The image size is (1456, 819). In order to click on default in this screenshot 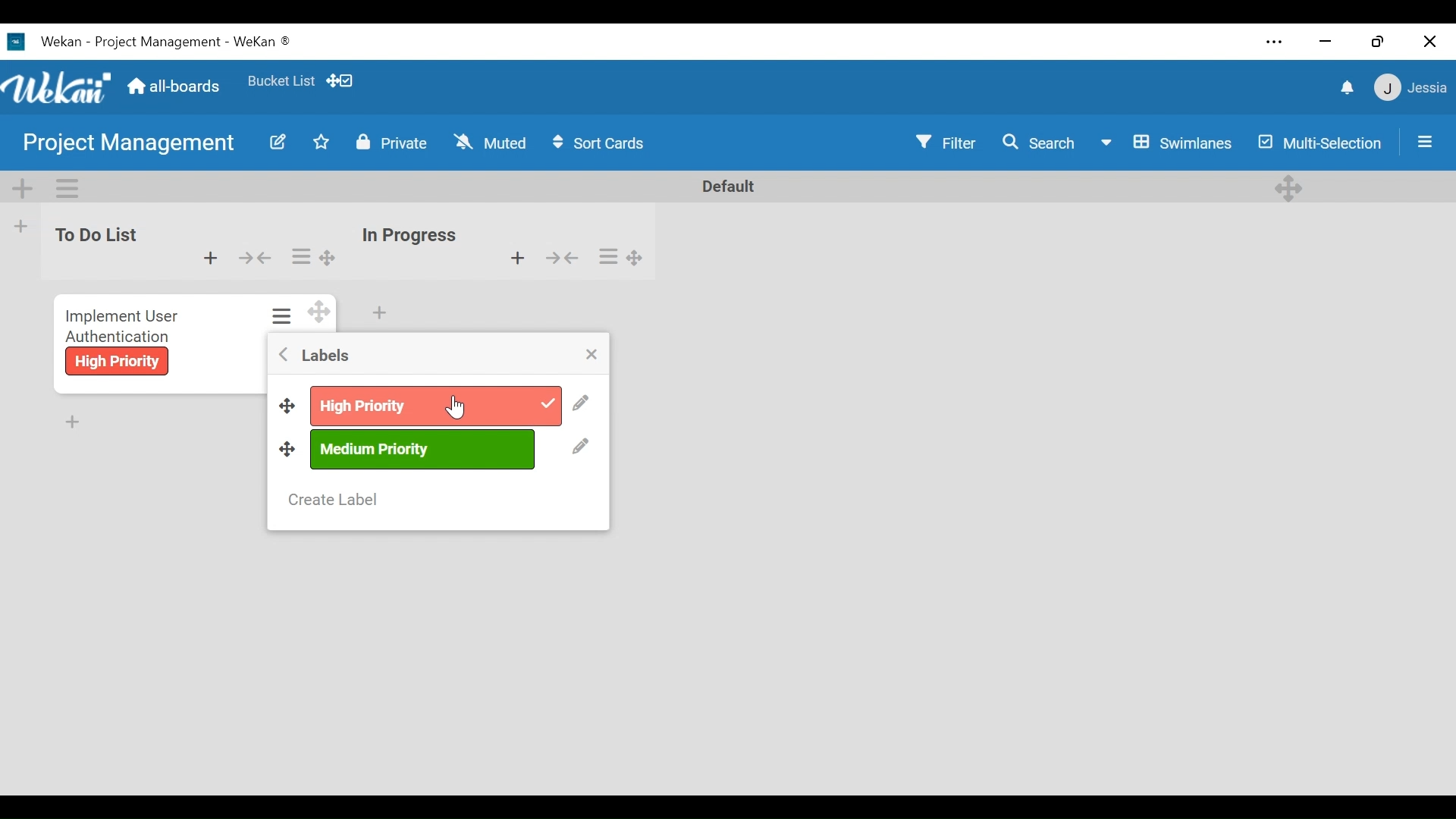, I will do `click(718, 187)`.